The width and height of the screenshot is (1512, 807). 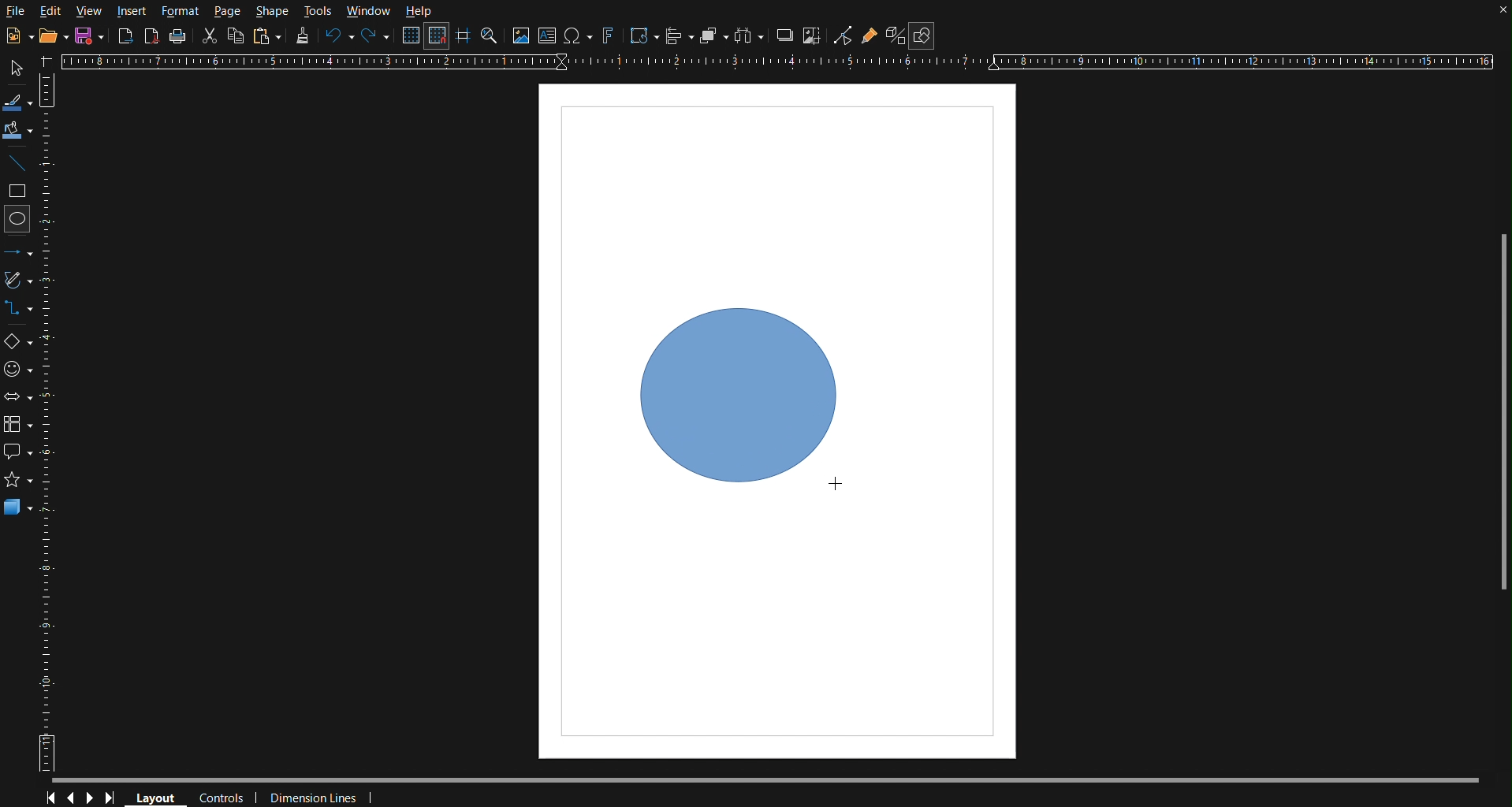 What do you see at coordinates (319, 9) in the screenshot?
I see `Tools` at bounding box center [319, 9].